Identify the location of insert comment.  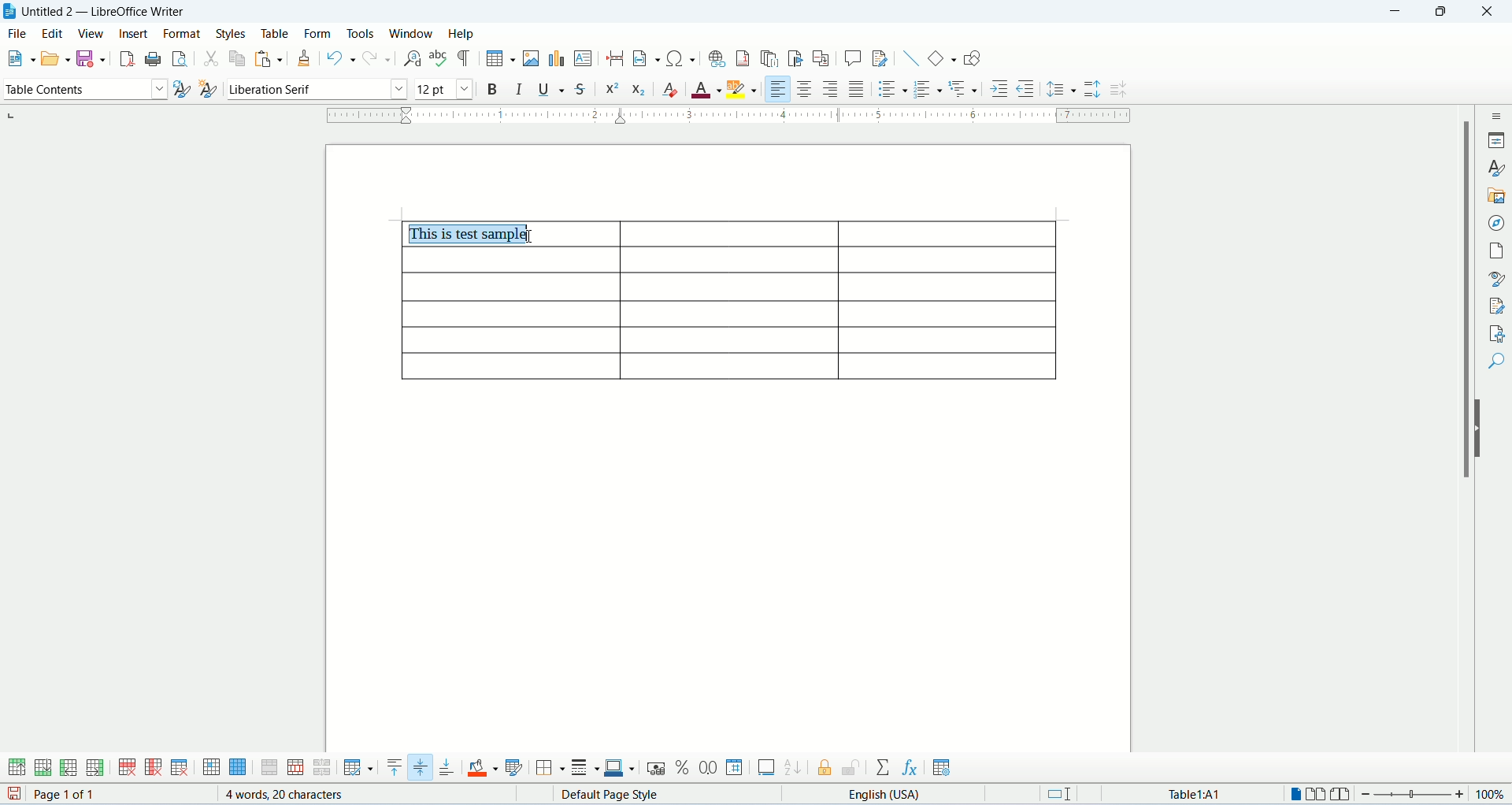
(851, 60).